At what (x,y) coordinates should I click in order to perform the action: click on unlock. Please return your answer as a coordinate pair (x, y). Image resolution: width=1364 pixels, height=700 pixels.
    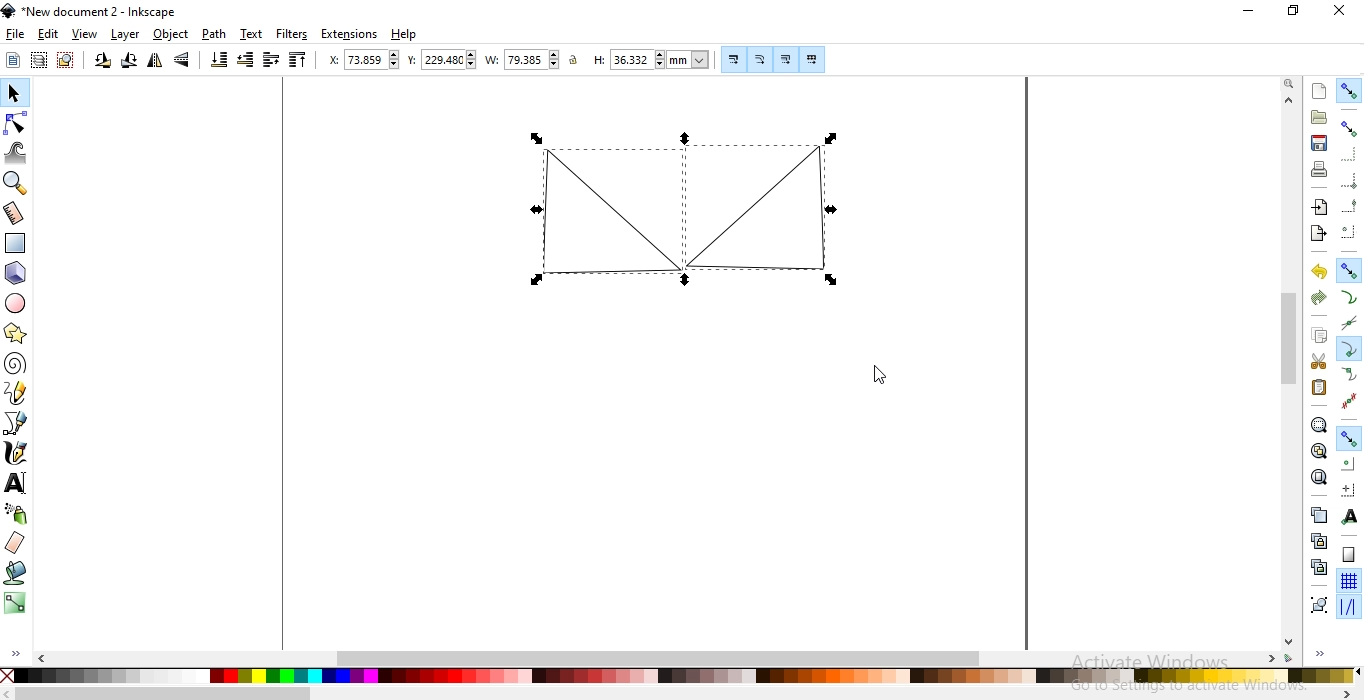
    Looking at the image, I should click on (576, 60).